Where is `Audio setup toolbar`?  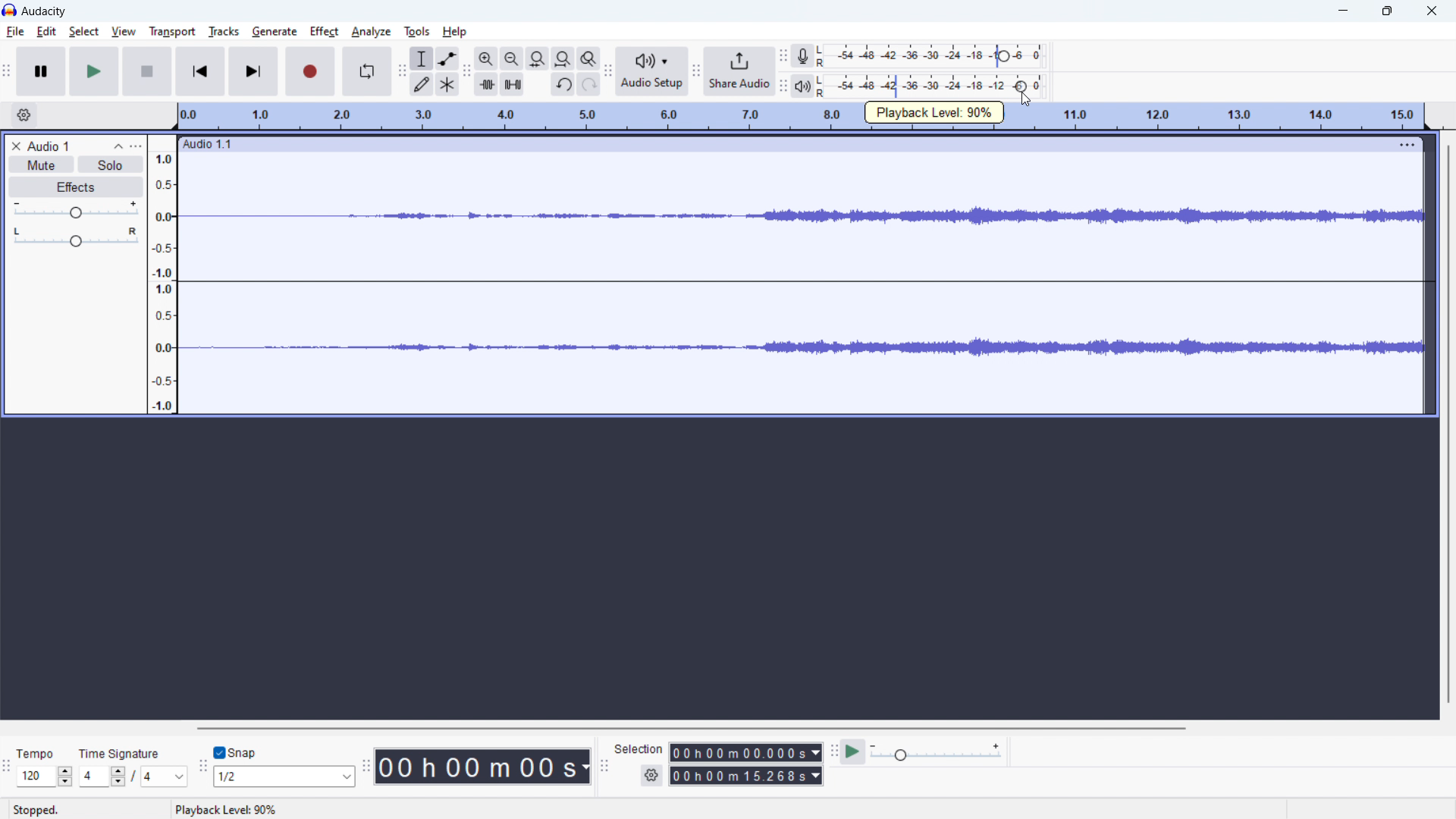
Audio setup toolbar is located at coordinates (607, 73).